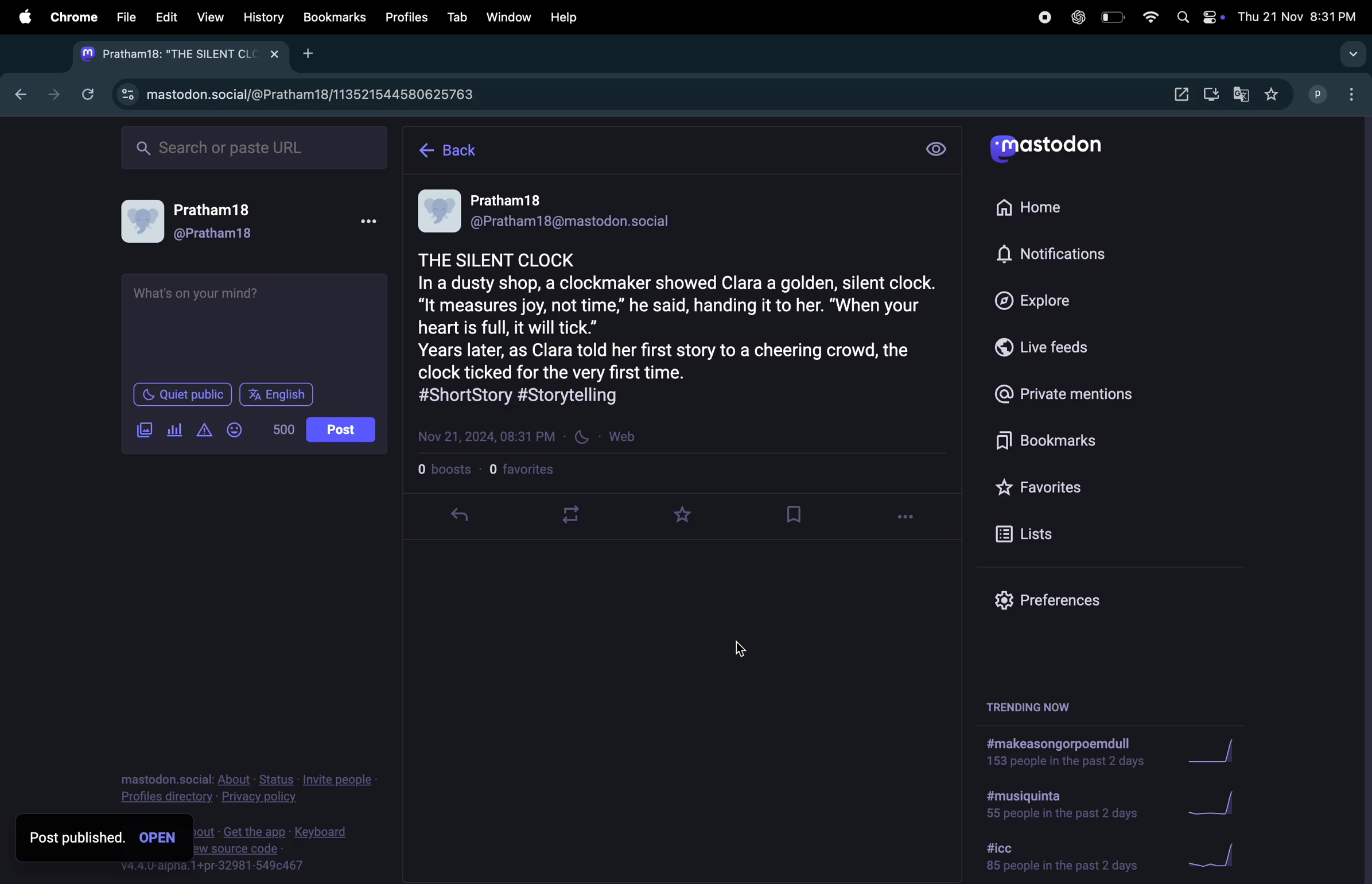 The image size is (1372, 884). Describe the element at coordinates (940, 150) in the screenshot. I see `setting` at that location.